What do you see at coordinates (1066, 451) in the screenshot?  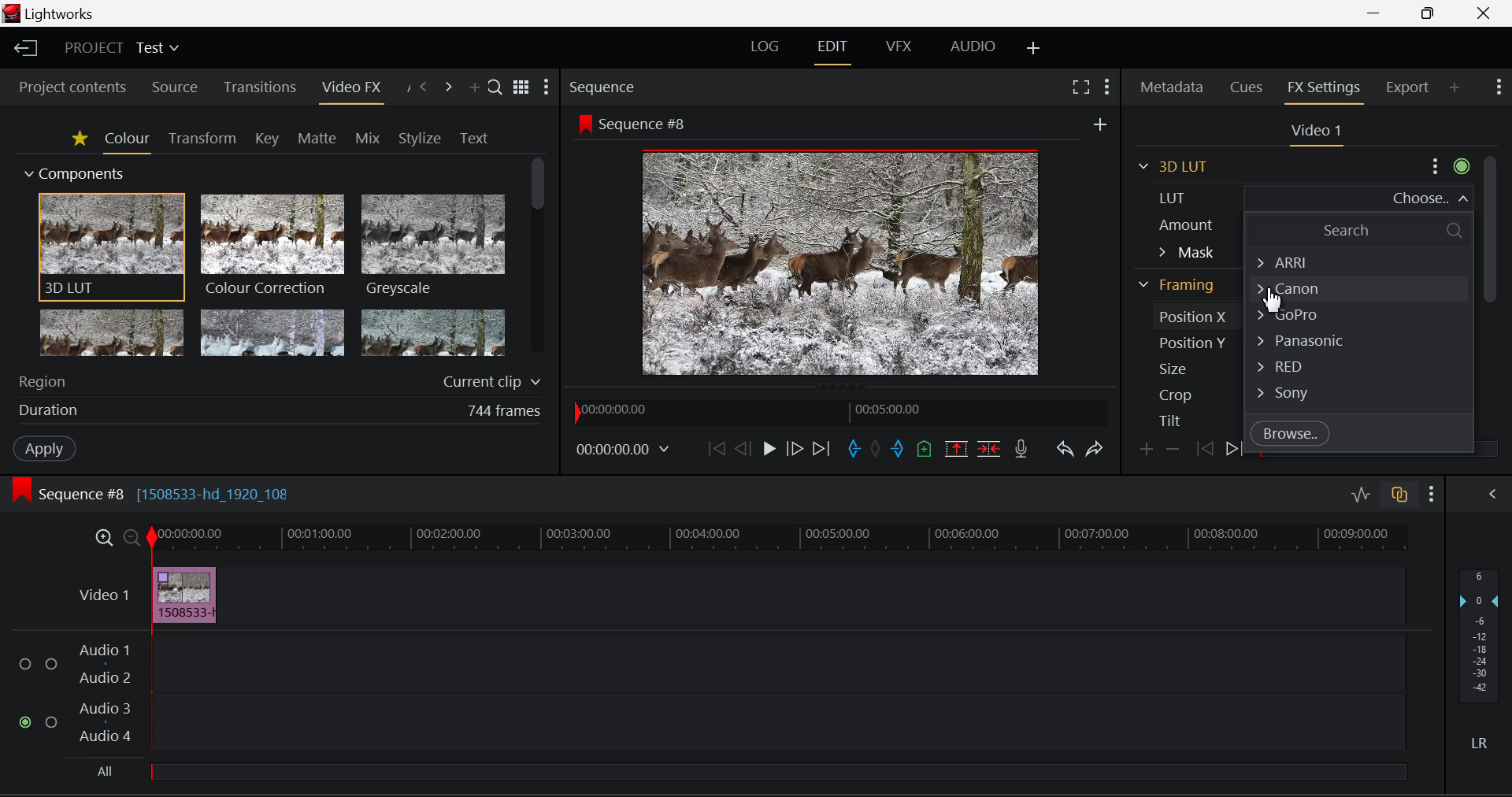 I see `Undo` at bounding box center [1066, 451].